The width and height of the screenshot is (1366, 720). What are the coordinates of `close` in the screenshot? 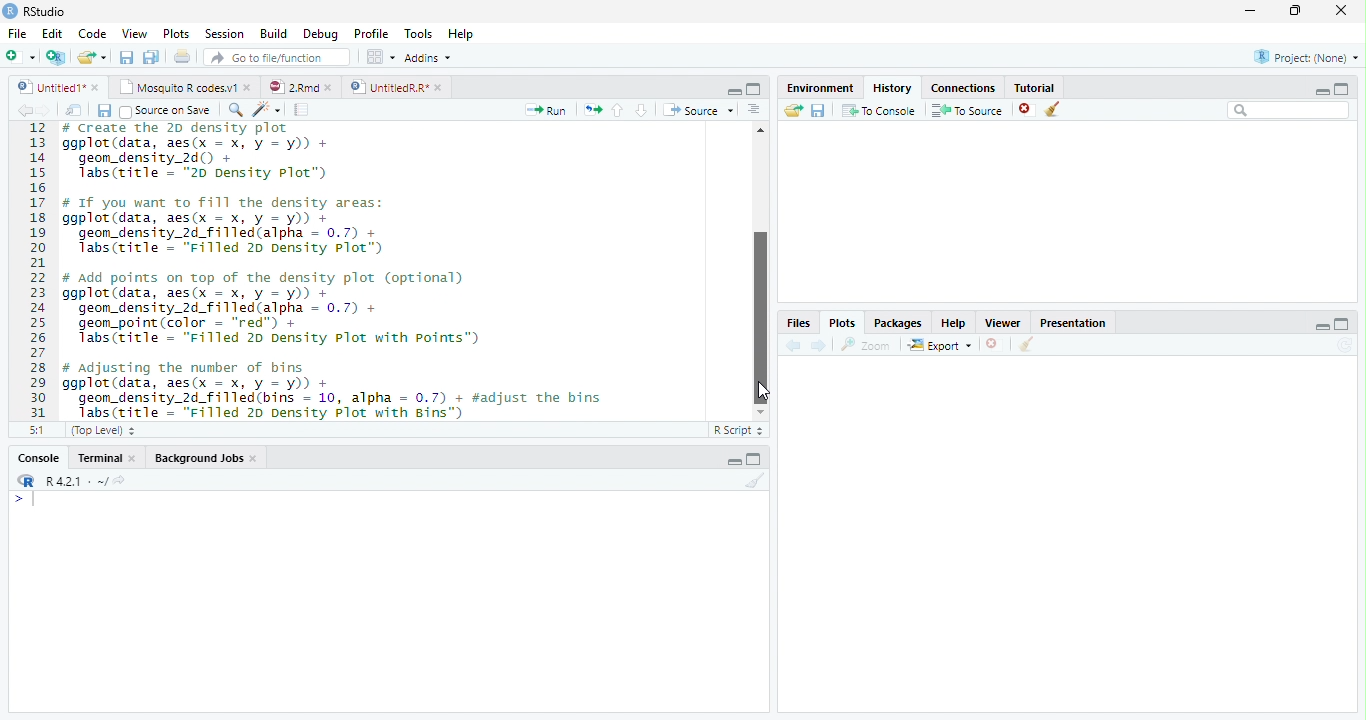 It's located at (1342, 10).